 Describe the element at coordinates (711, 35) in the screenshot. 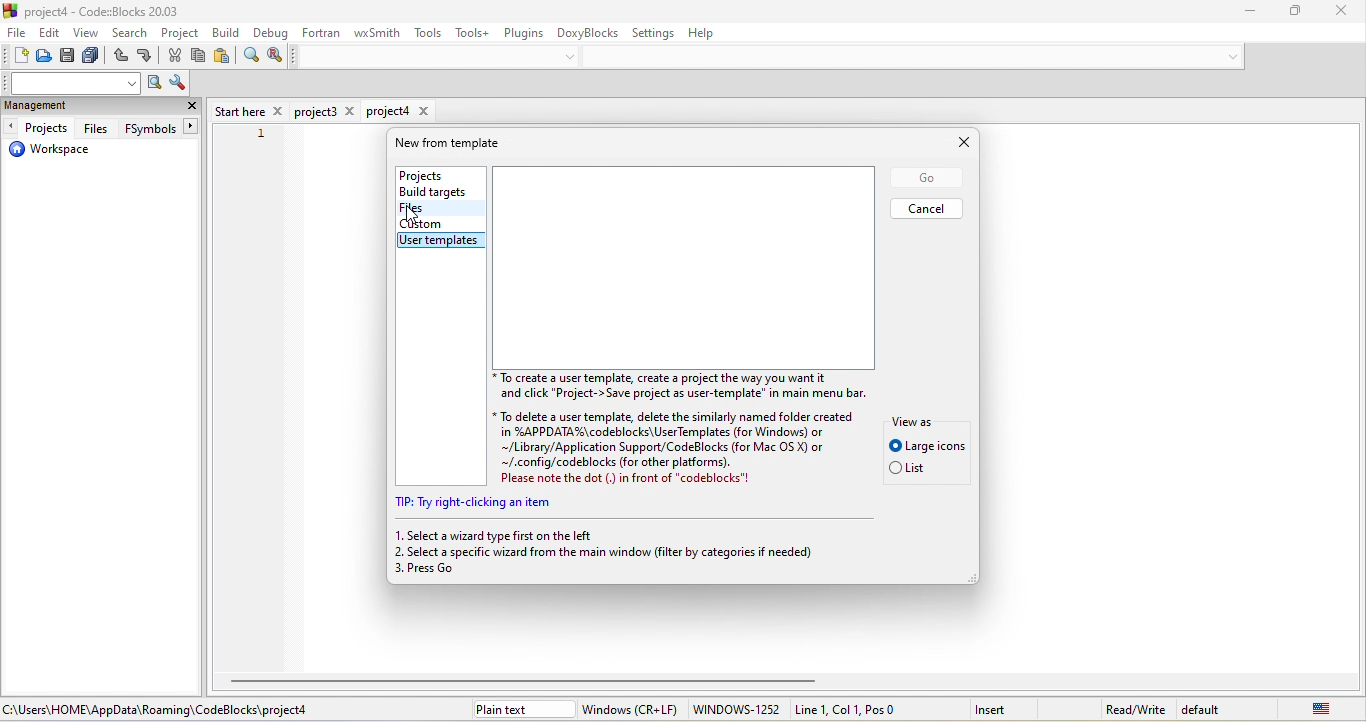

I see `help` at that location.